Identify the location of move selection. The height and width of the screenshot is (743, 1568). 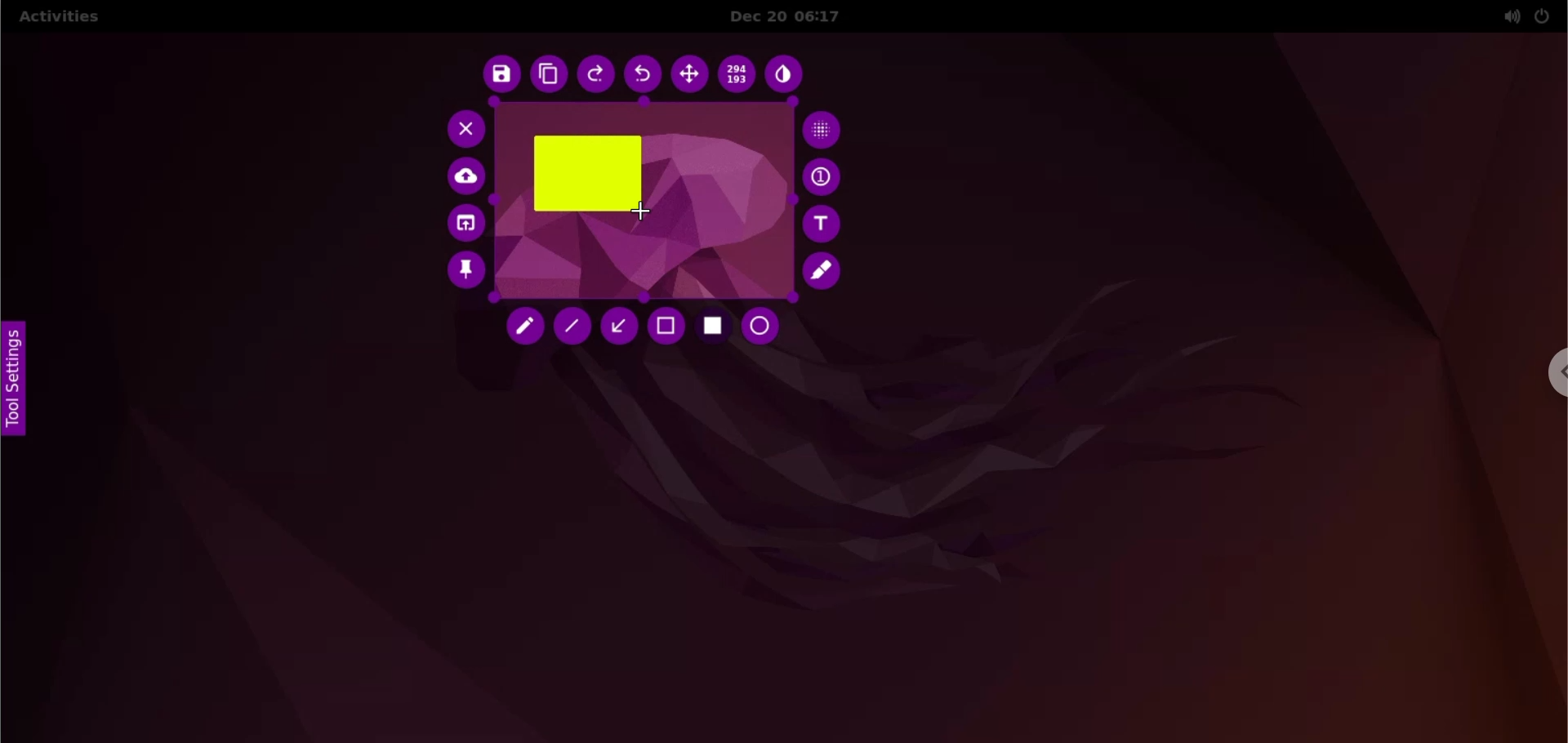
(689, 74).